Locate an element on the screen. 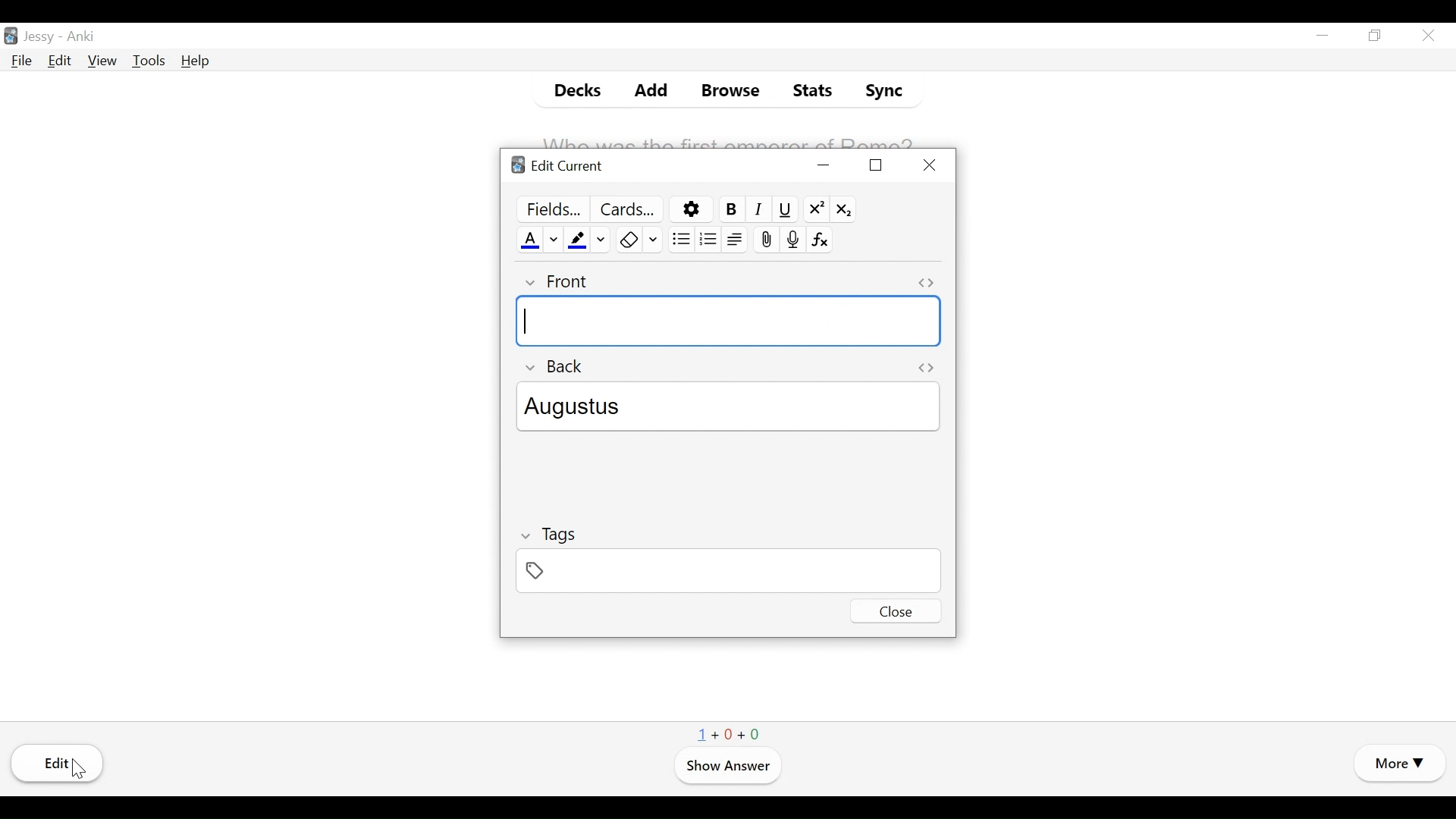 The width and height of the screenshot is (1456, 819). Change Color is located at coordinates (554, 238).